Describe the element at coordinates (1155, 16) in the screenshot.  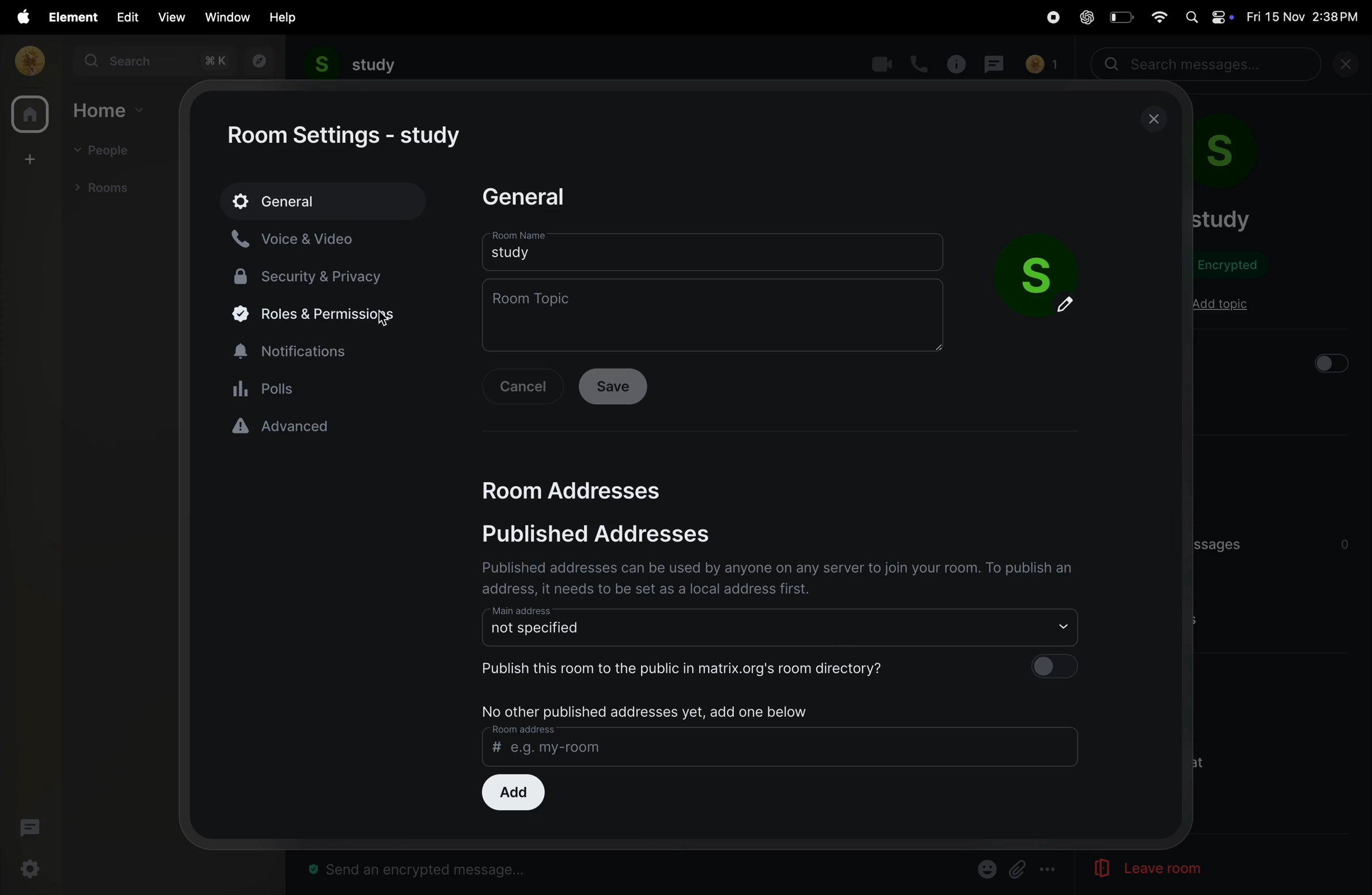
I see `wifi` at that location.